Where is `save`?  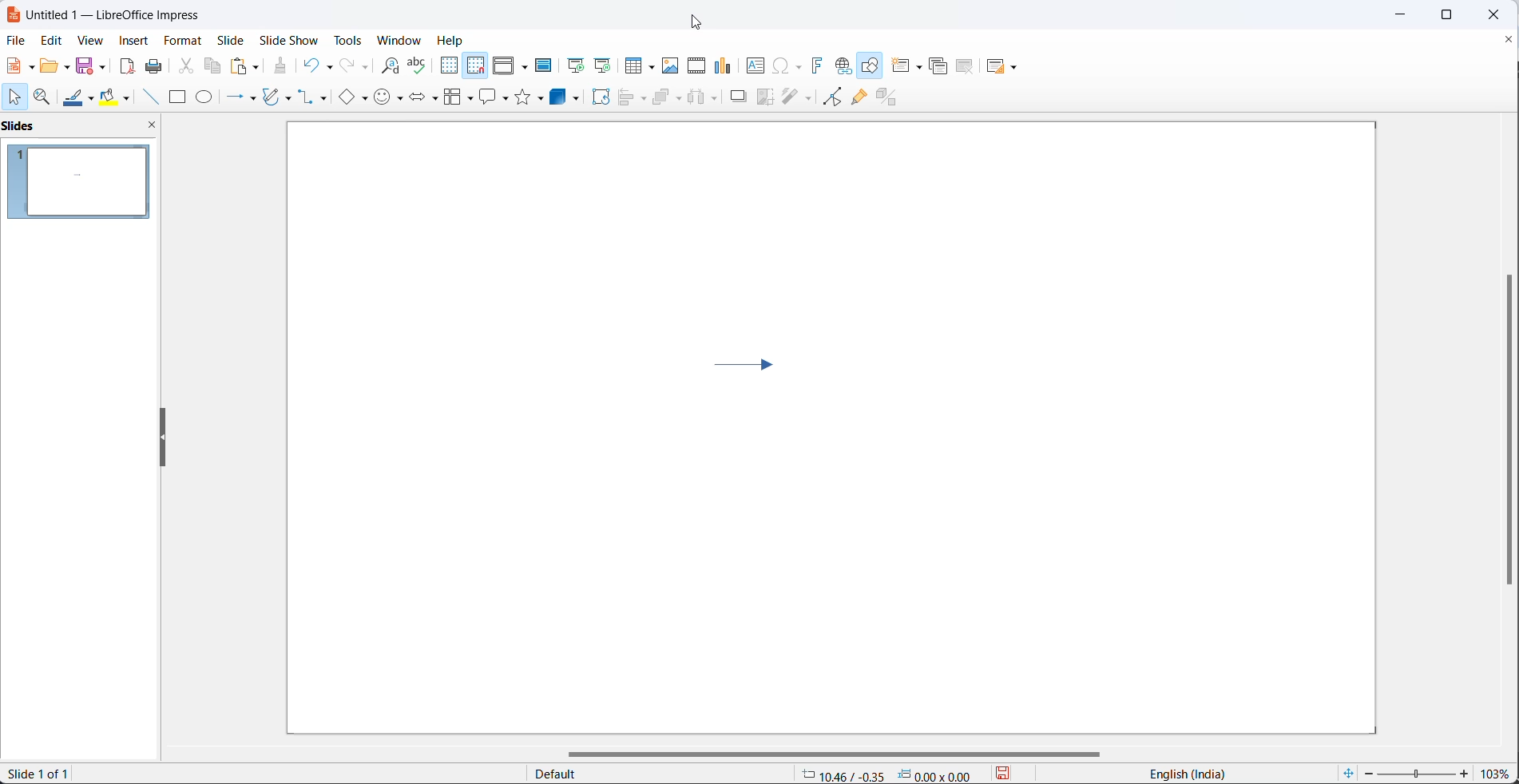 save is located at coordinates (1009, 774).